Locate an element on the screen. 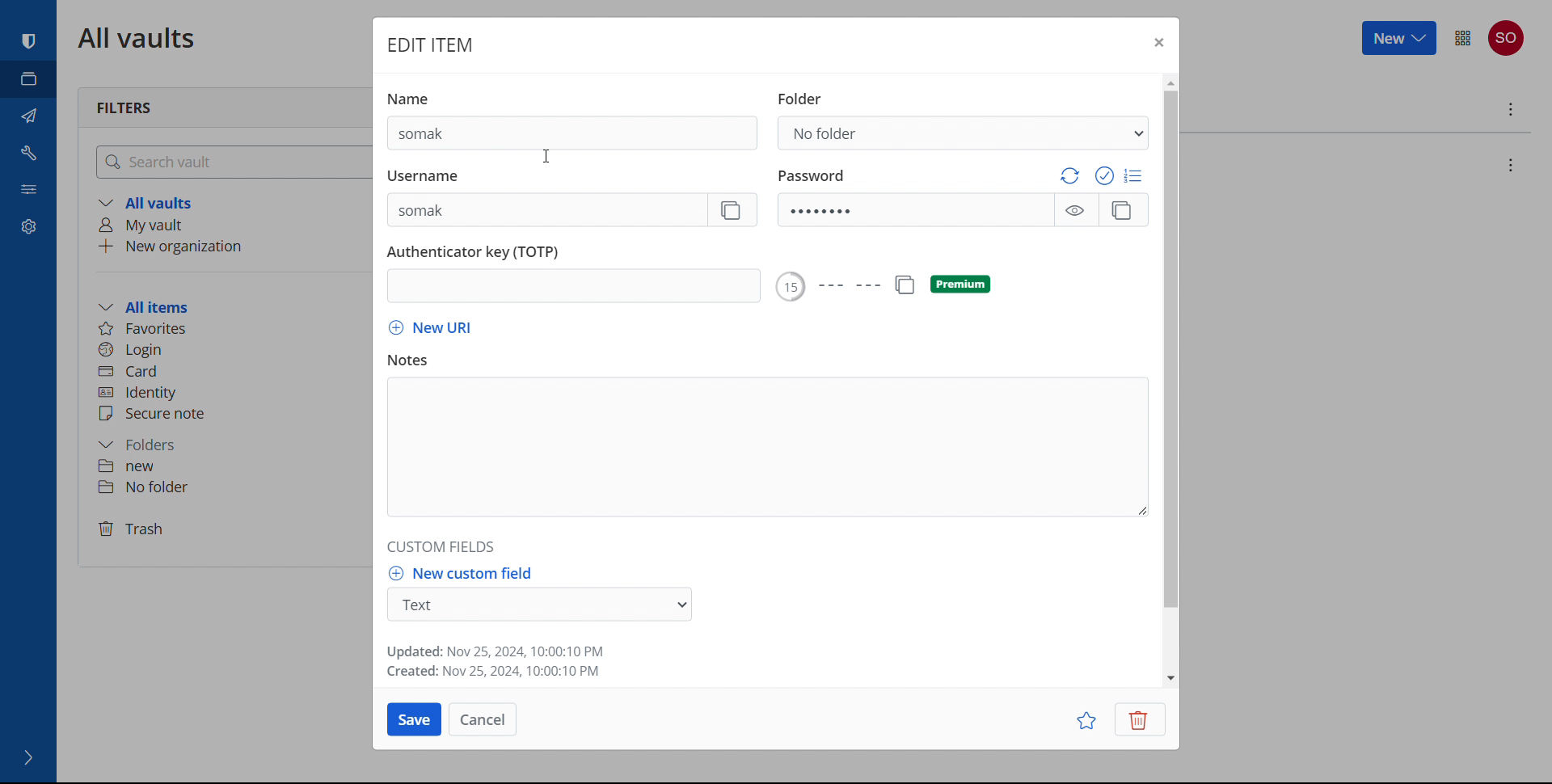  secure note is located at coordinates (232, 415).